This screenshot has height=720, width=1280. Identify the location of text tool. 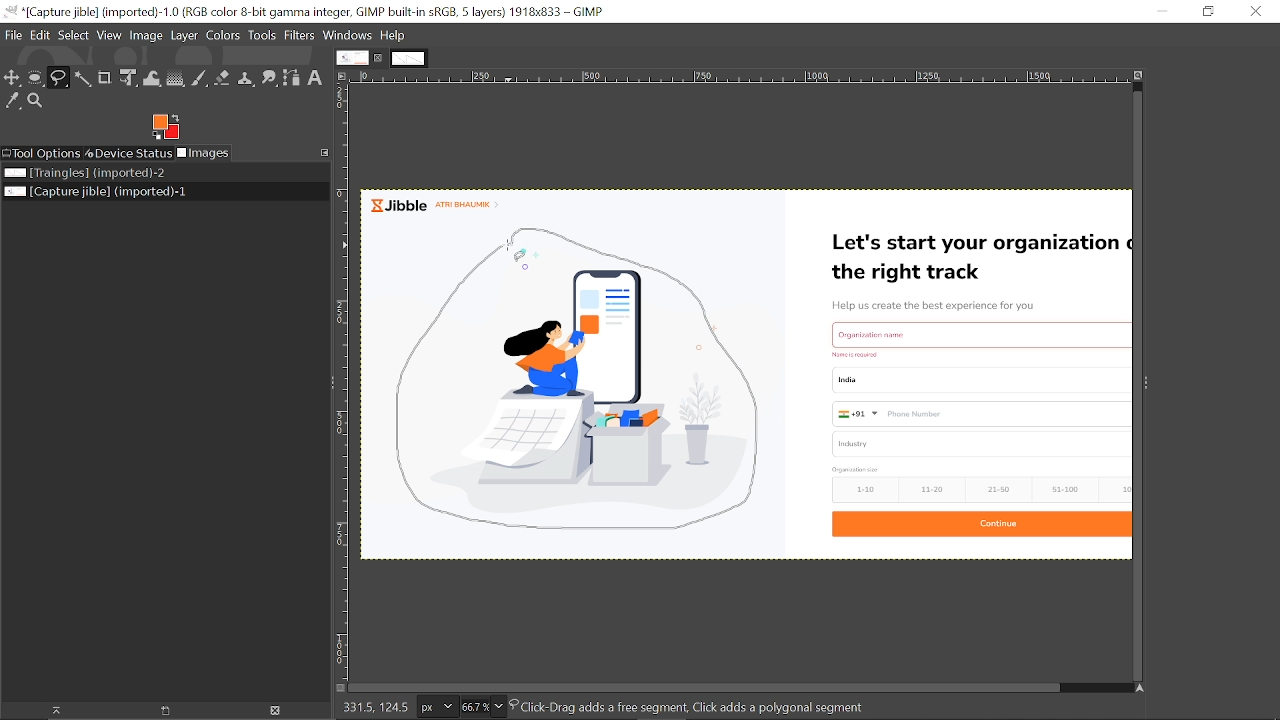
(316, 78).